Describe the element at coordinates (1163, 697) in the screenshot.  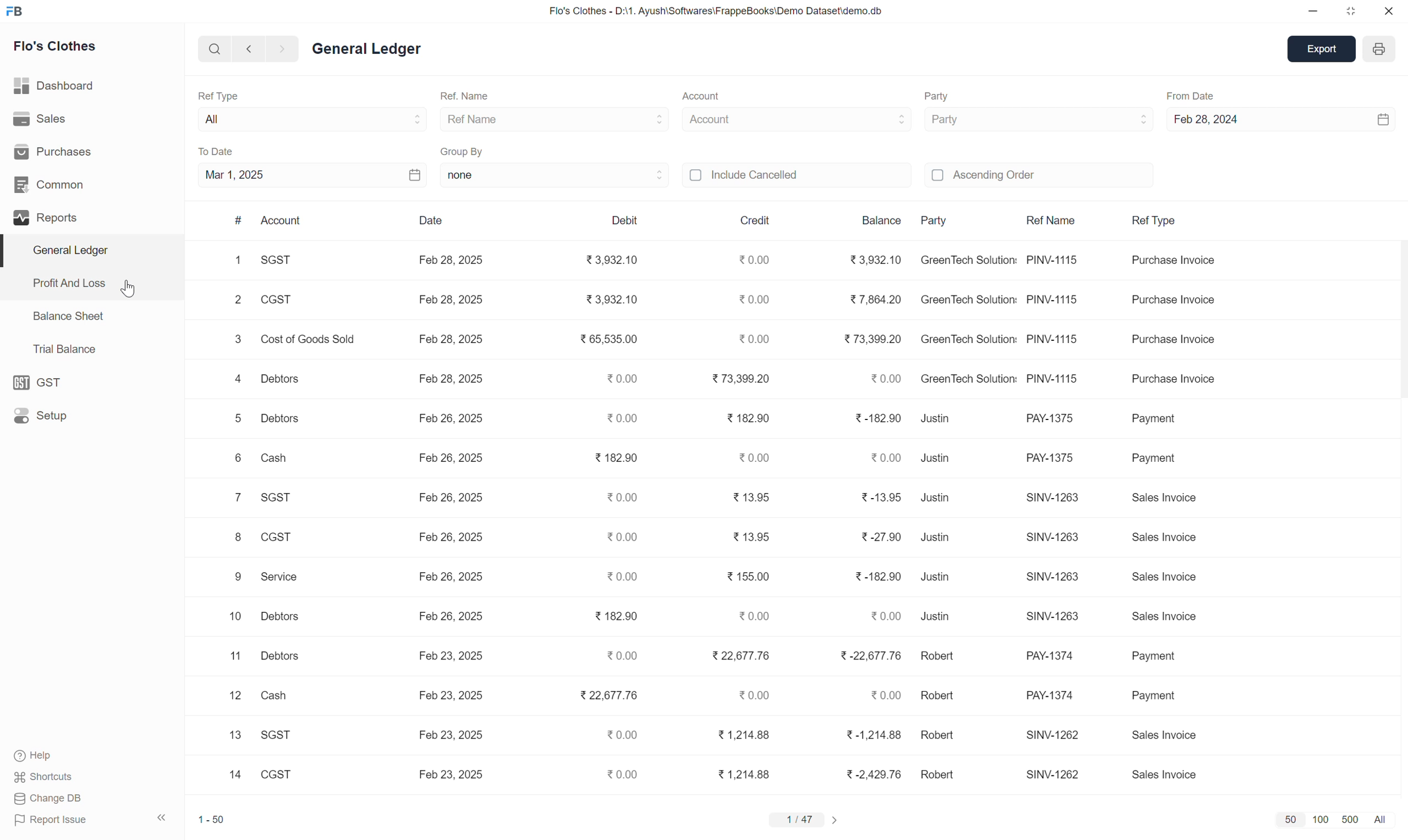
I see `Payment` at that location.